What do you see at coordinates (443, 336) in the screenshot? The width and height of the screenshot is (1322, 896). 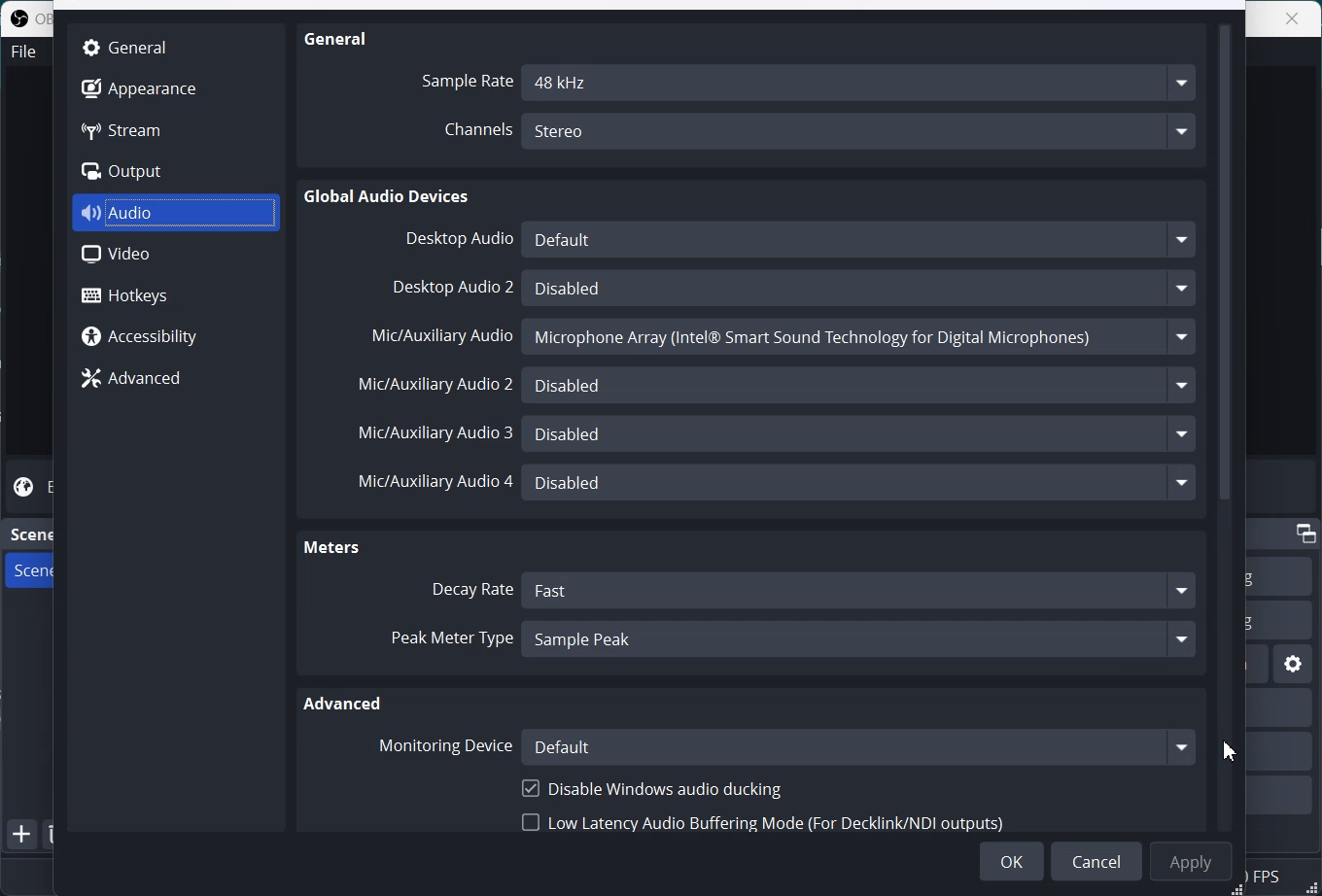 I see `Mic/Auxiliary Audio ` at bounding box center [443, 336].